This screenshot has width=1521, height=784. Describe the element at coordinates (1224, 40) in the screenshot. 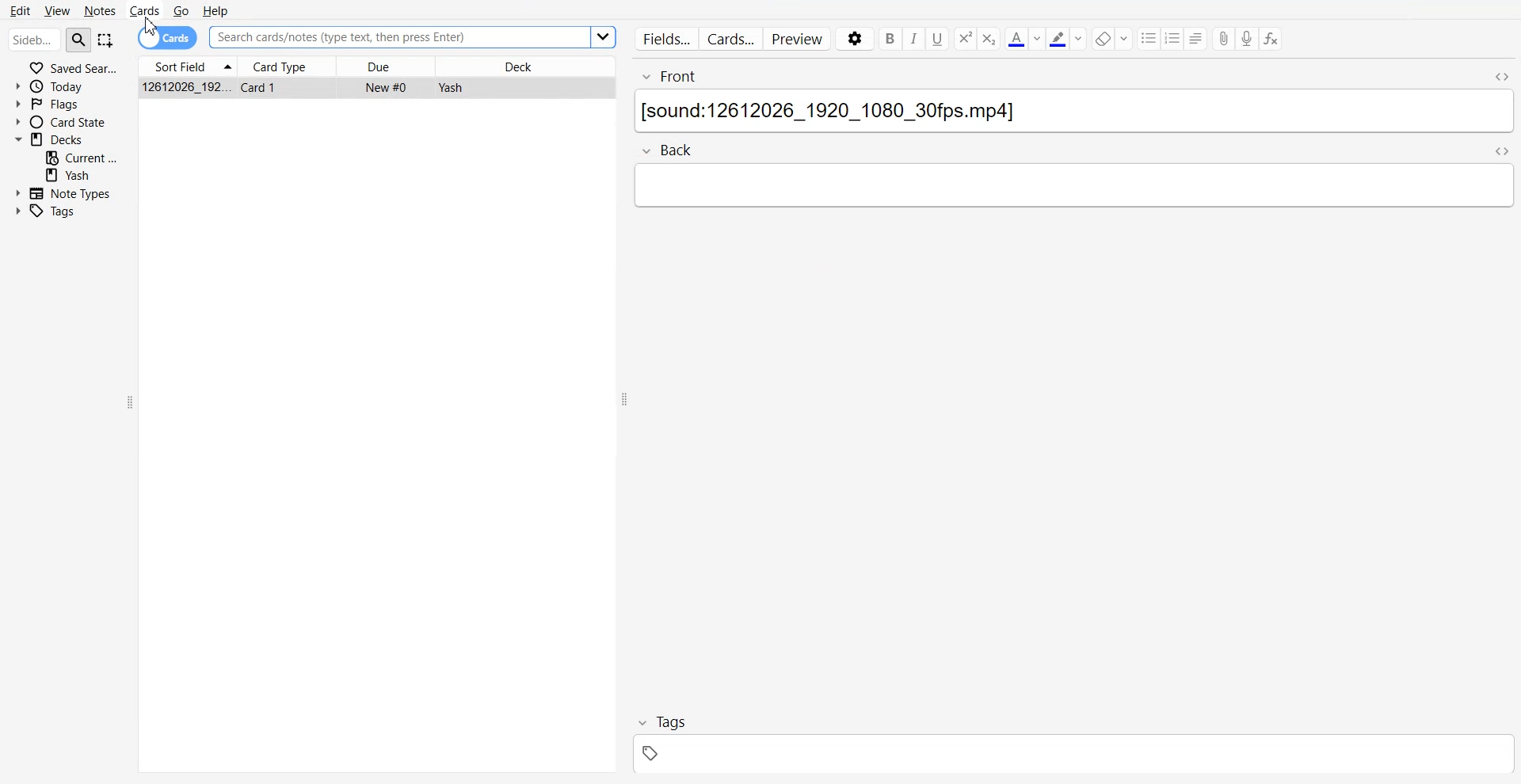

I see `Attached File` at that location.